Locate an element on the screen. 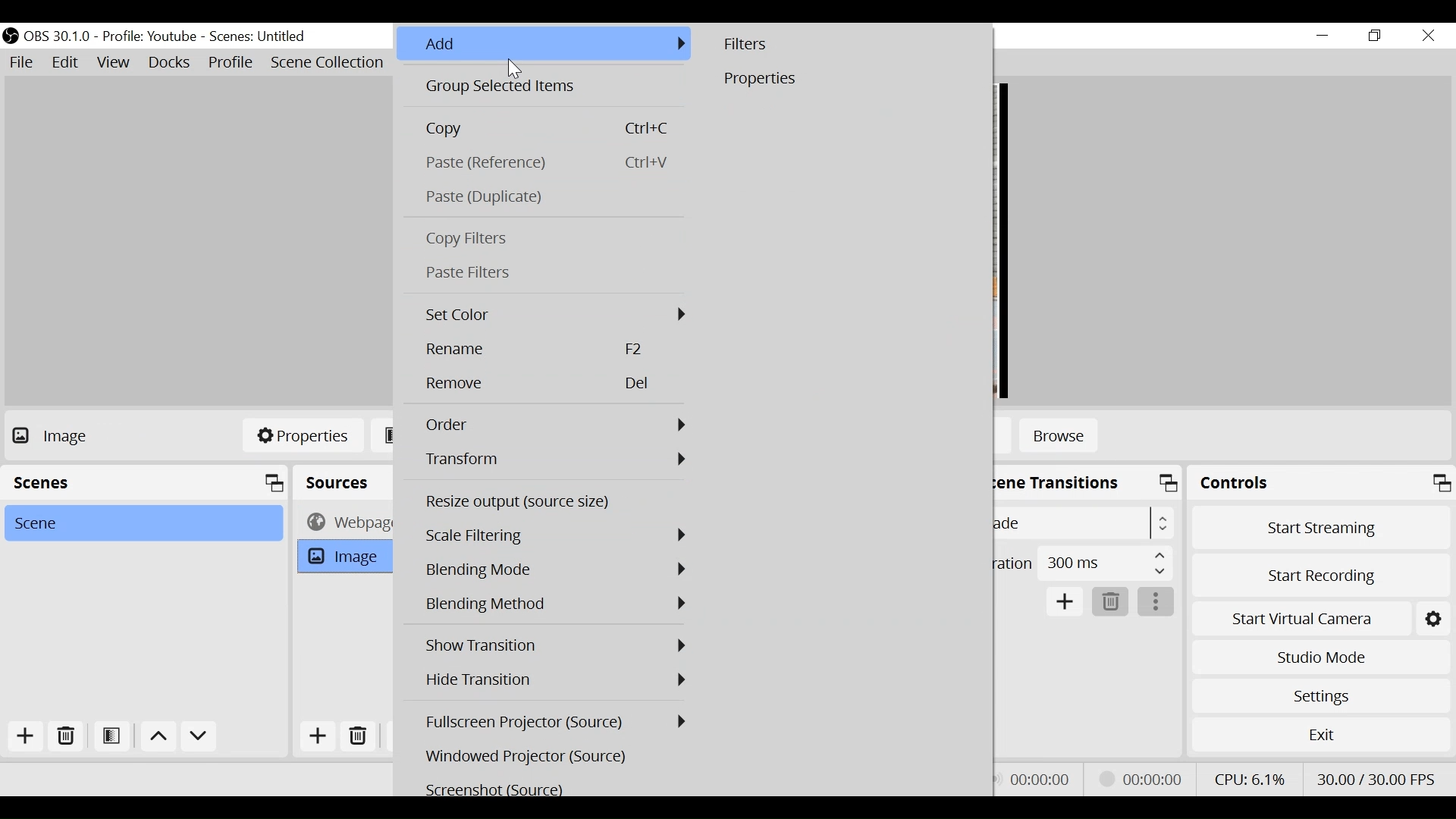 The height and width of the screenshot is (819, 1456). Hide Transition is located at coordinates (553, 679).